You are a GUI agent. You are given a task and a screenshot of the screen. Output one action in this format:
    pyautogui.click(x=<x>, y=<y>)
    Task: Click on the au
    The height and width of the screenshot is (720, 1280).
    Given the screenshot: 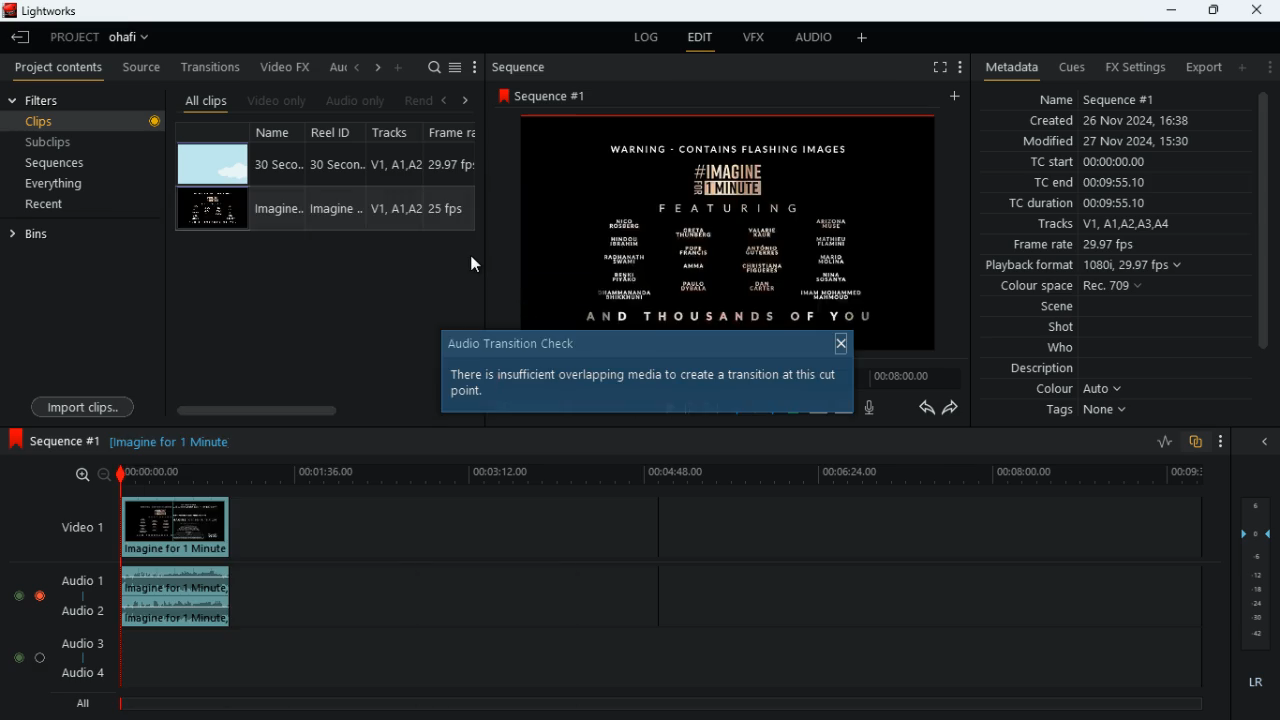 What is the action you would take?
    pyautogui.click(x=336, y=67)
    